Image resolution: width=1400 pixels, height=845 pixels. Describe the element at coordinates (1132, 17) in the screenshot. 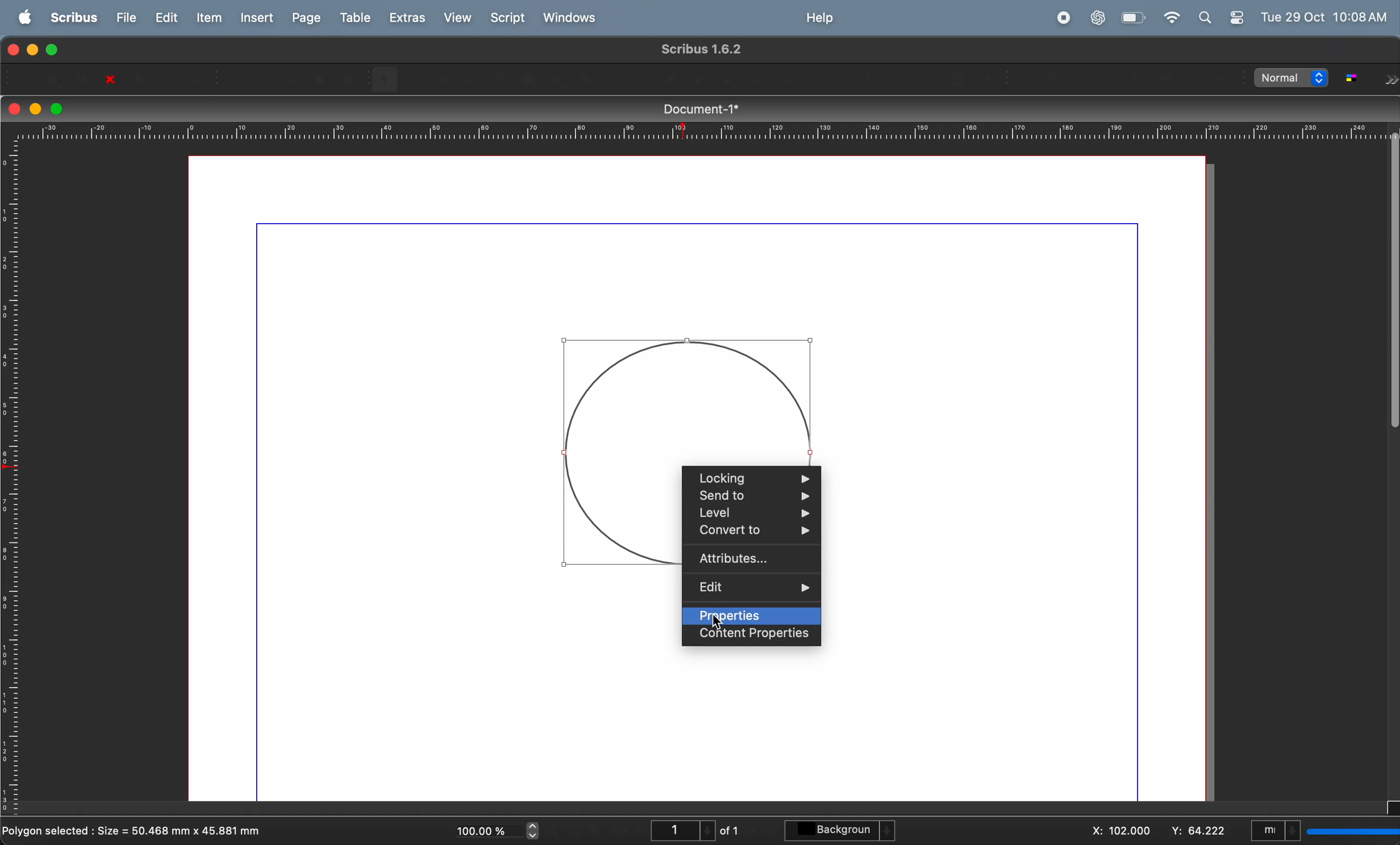

I see `battery` at that location.